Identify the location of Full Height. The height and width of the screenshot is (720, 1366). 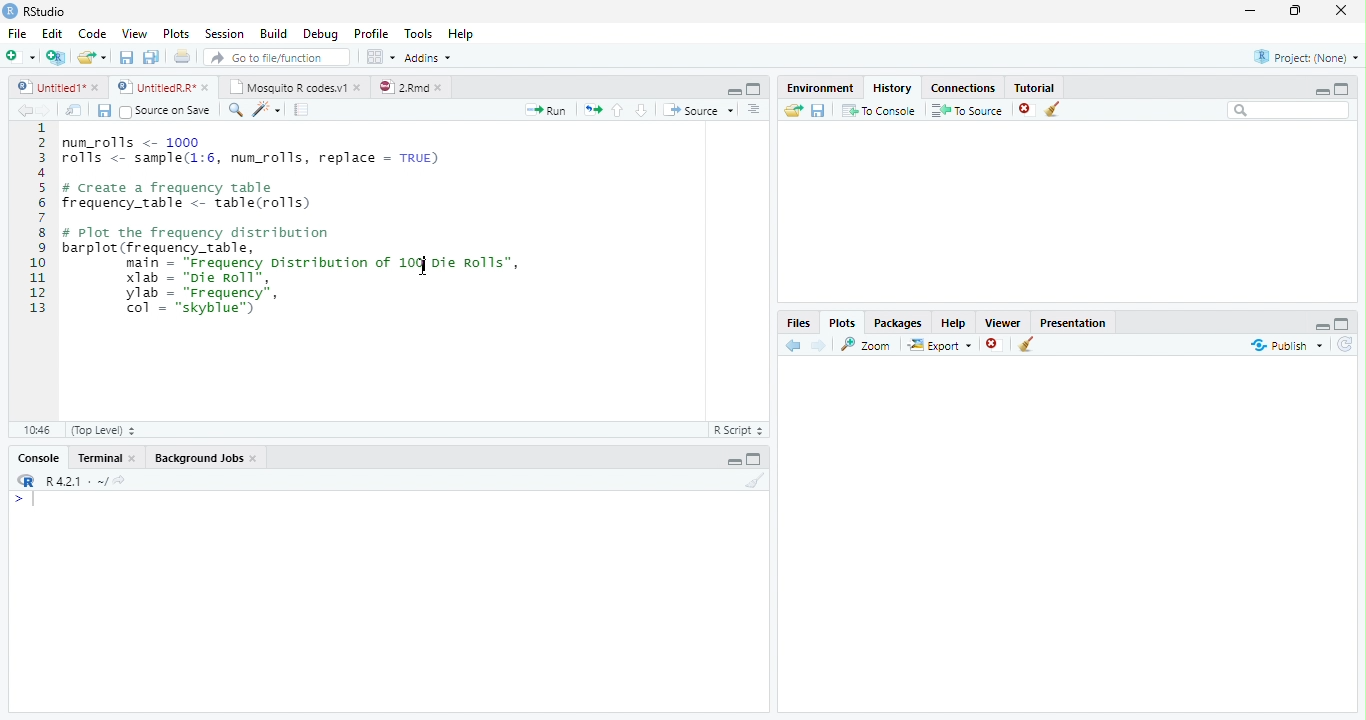
(1344, 324).